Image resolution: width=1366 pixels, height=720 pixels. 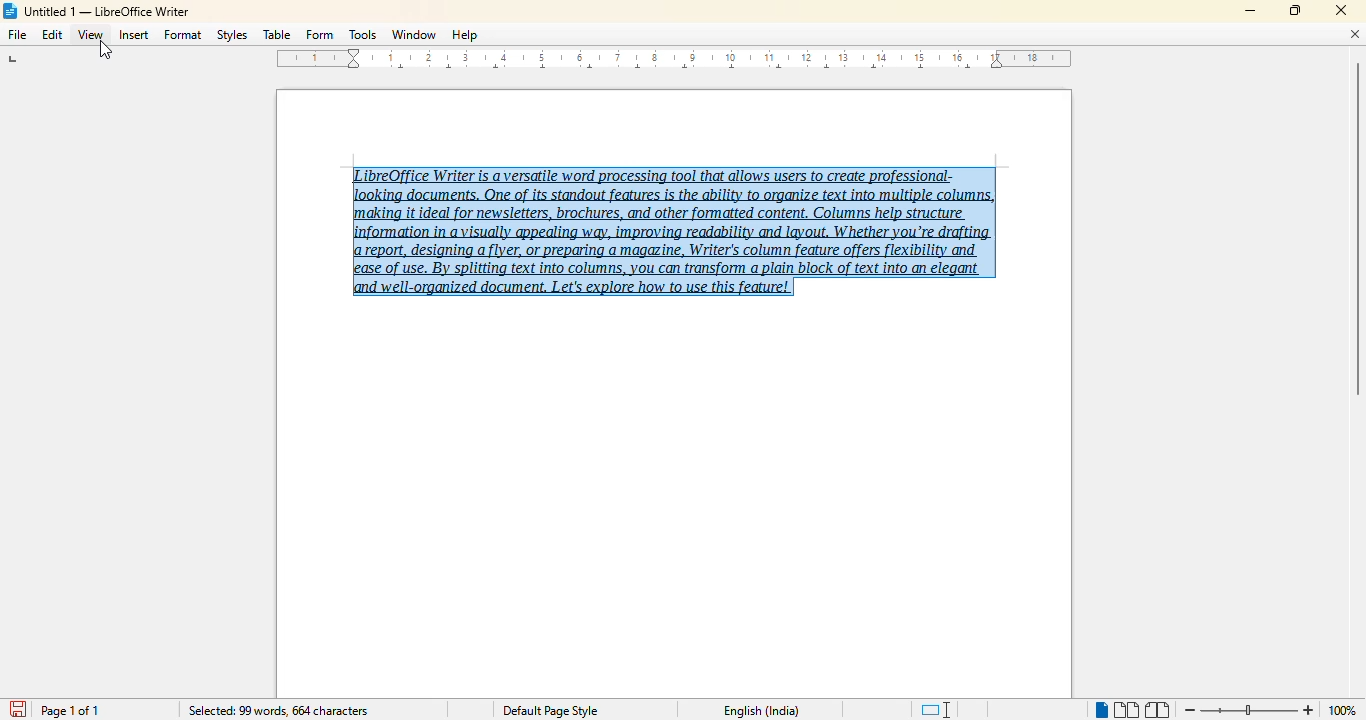 I want to click on insert, so click(x=133, y=35).